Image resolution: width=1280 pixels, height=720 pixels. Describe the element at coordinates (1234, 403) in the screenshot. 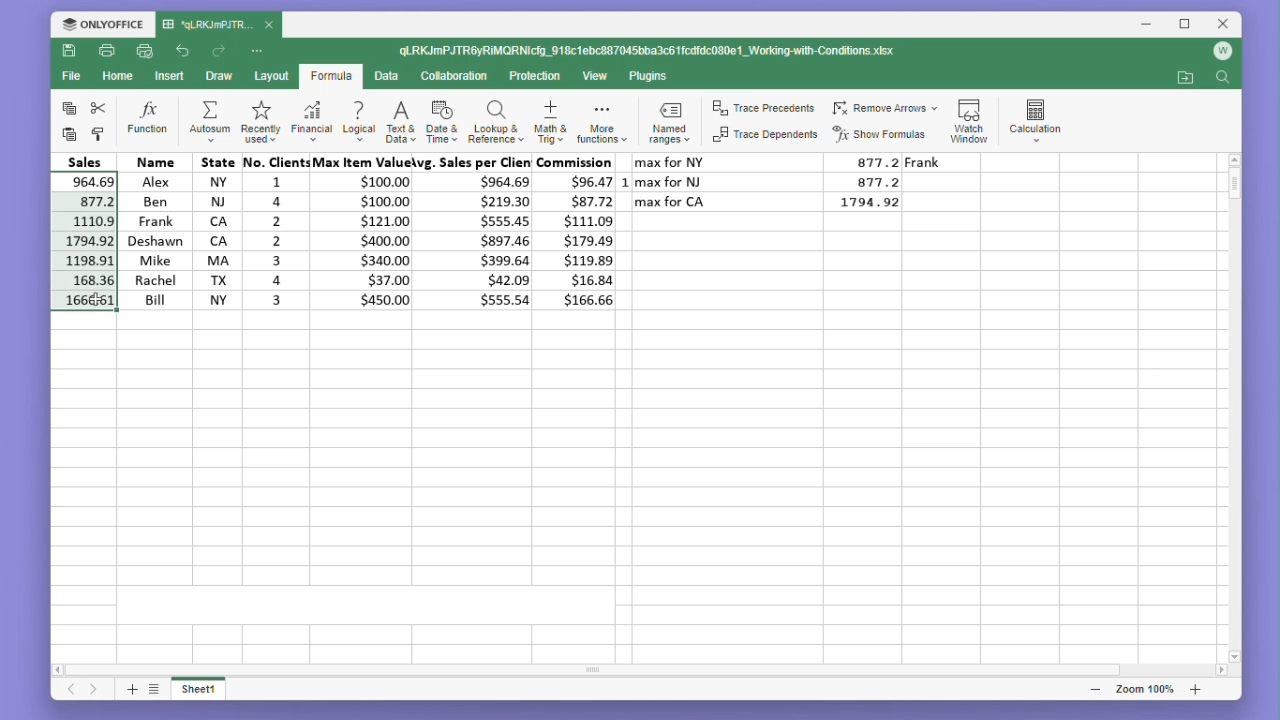

I see `Vertical scroll bar` at that location.